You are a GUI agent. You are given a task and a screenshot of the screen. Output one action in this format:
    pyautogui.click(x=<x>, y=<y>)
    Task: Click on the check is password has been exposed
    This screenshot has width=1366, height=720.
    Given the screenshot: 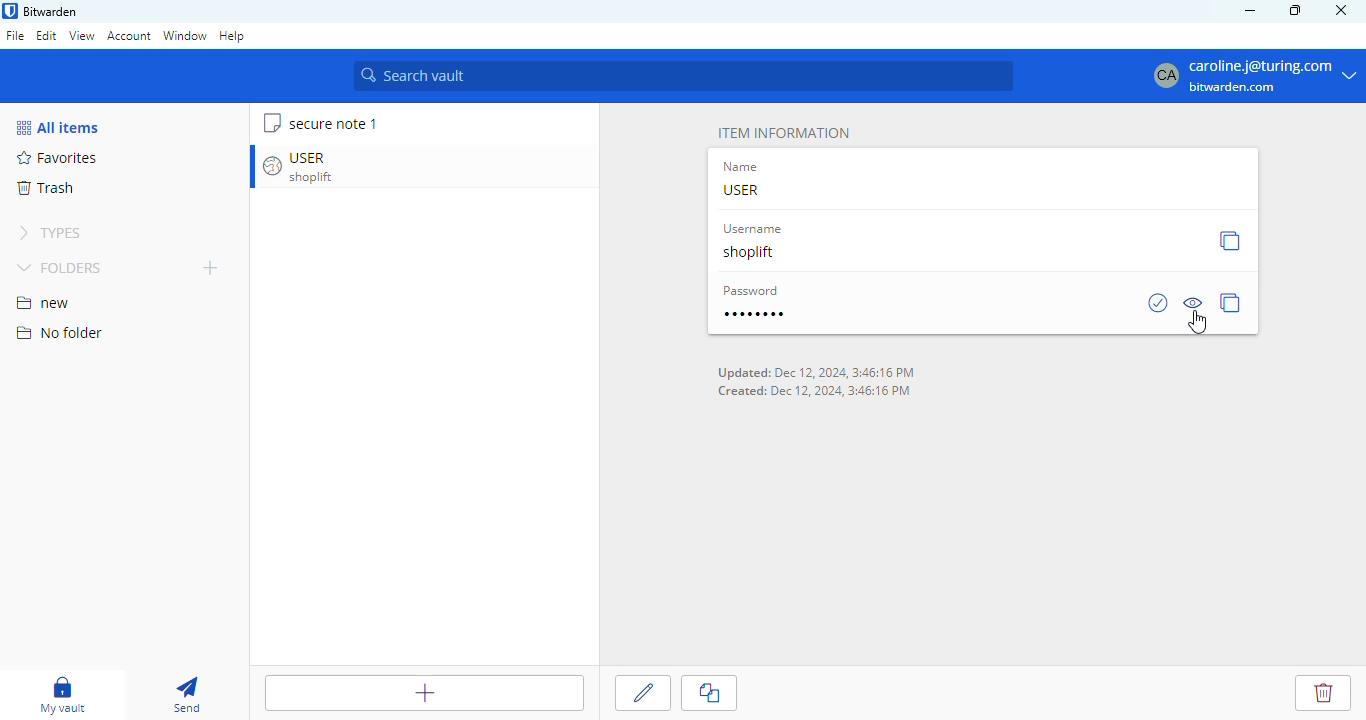 What is the action you would take?
    pyautogui.click(x=1159, y=303)
    